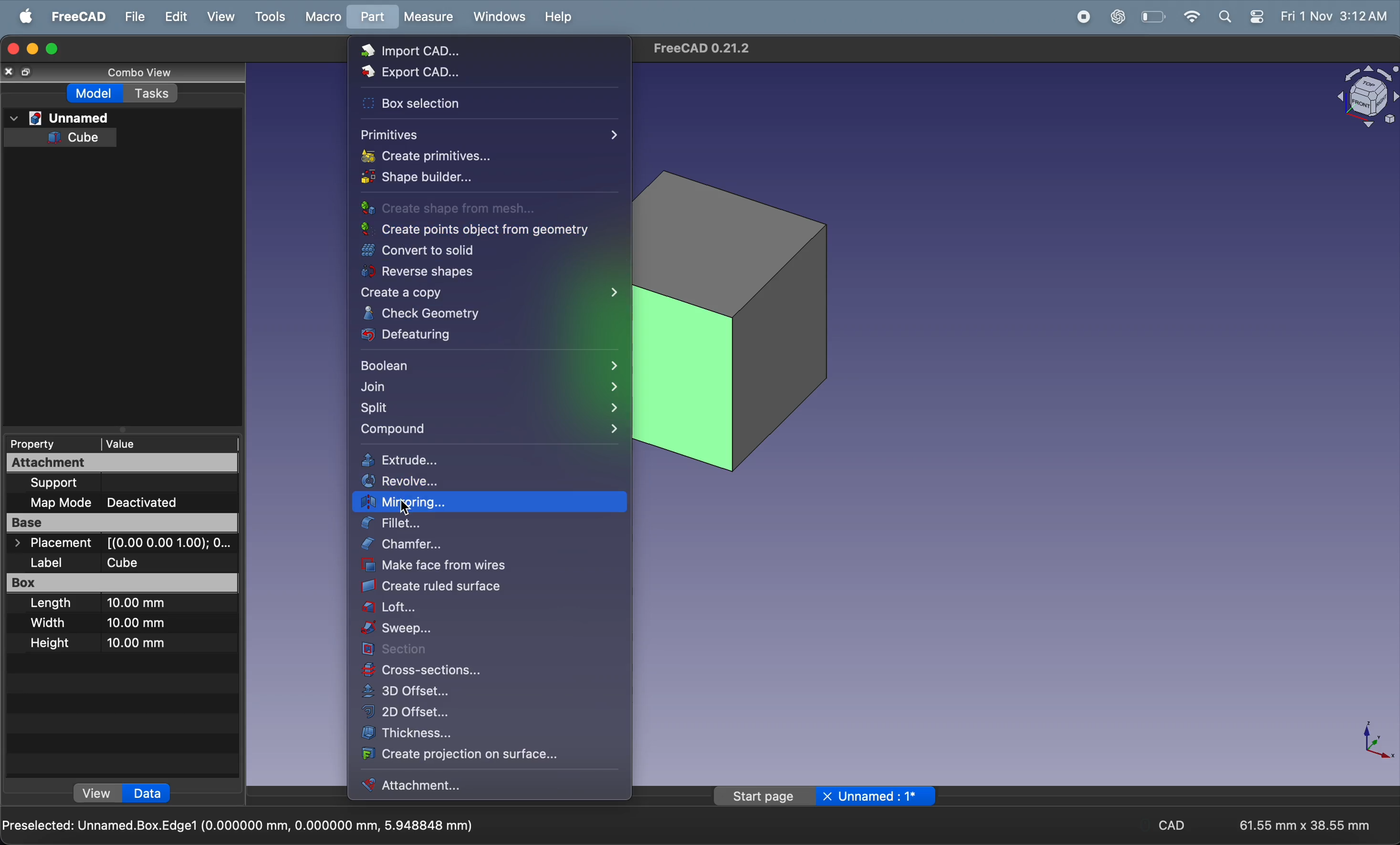 The width and height of the screenshot is (1400, 845). What do you see at coordinates (749, 324) in the screenshot?
I see `cube` at bounding box center [749, 324].